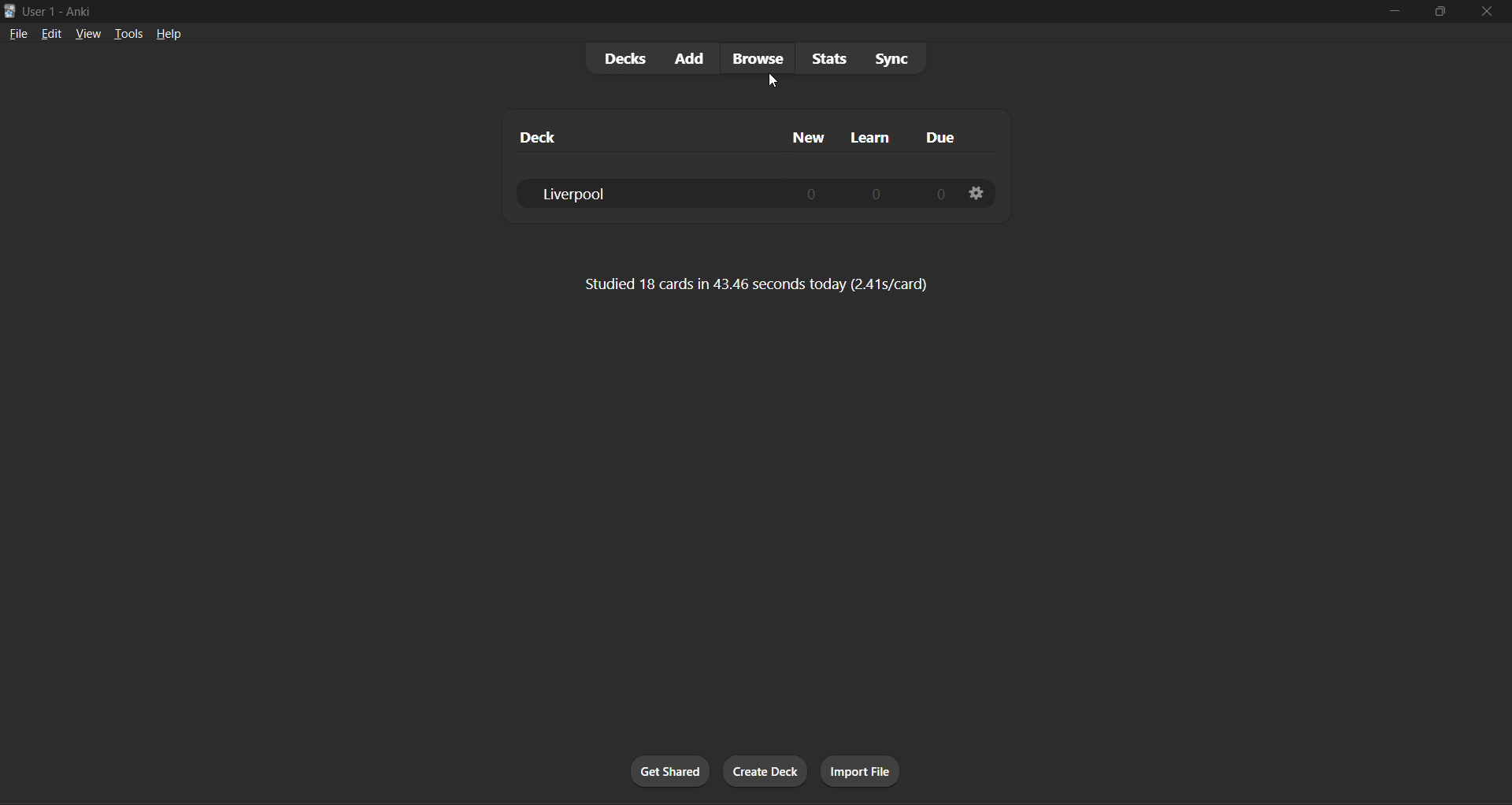 Image resolution: width=1512 pixels, height=805 pixels. Describe the element at coordinates (70, 11) in the screenshot. I see `title bar` at that location.